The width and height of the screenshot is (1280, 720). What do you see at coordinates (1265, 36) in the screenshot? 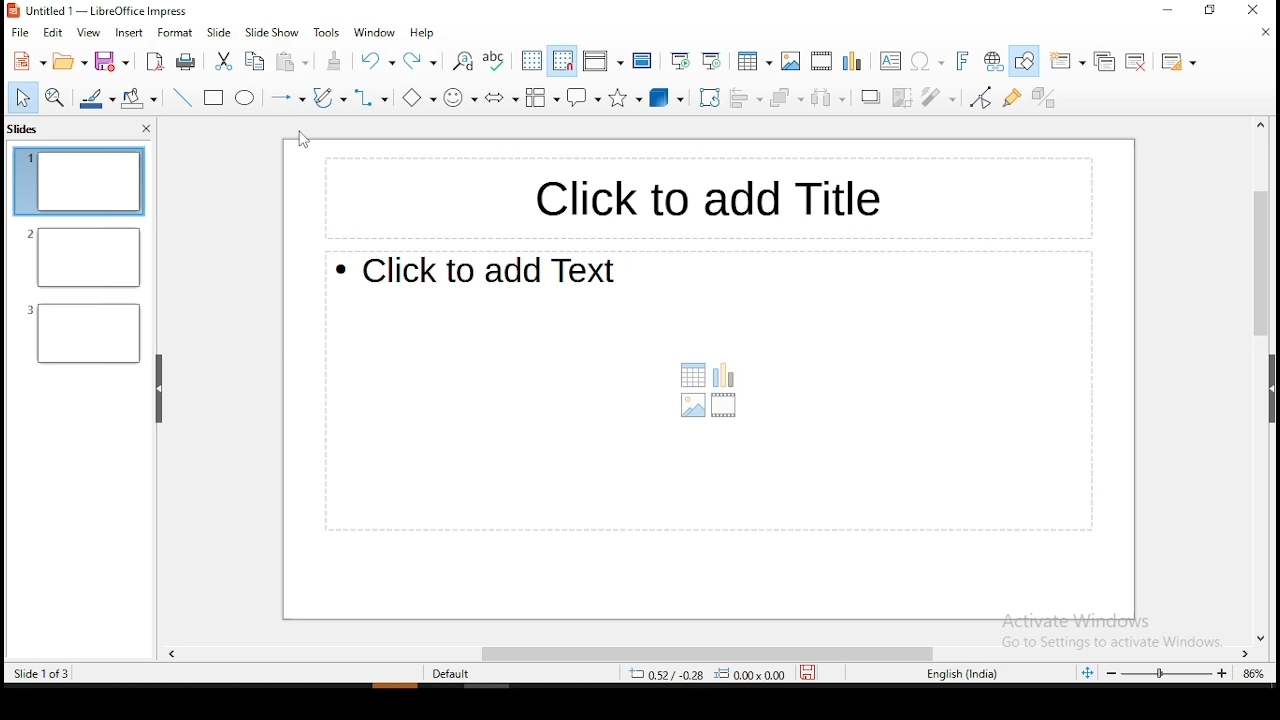
I see `close` at bounding box center [1265, 36].